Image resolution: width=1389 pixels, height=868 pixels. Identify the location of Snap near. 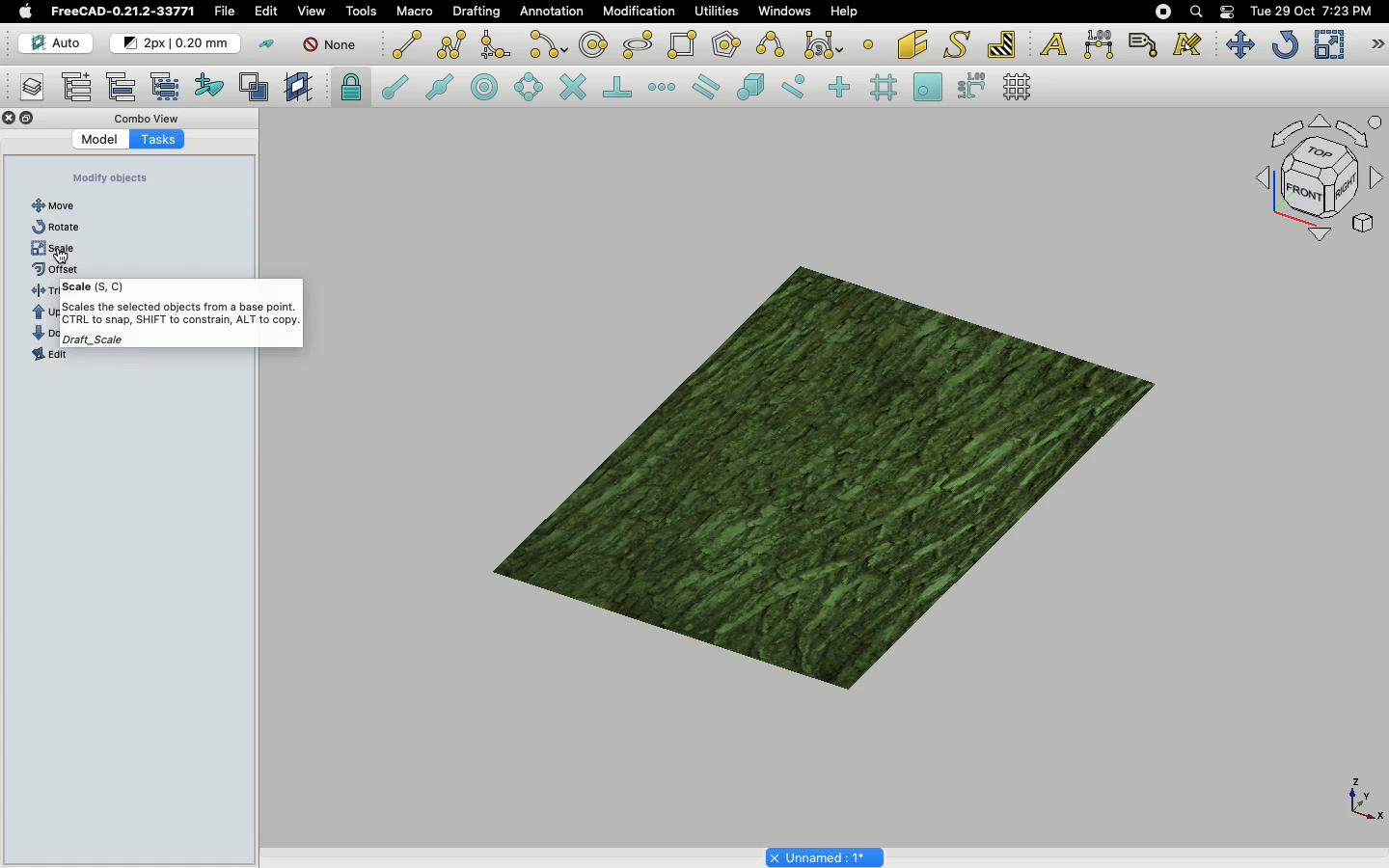
(793, 88).